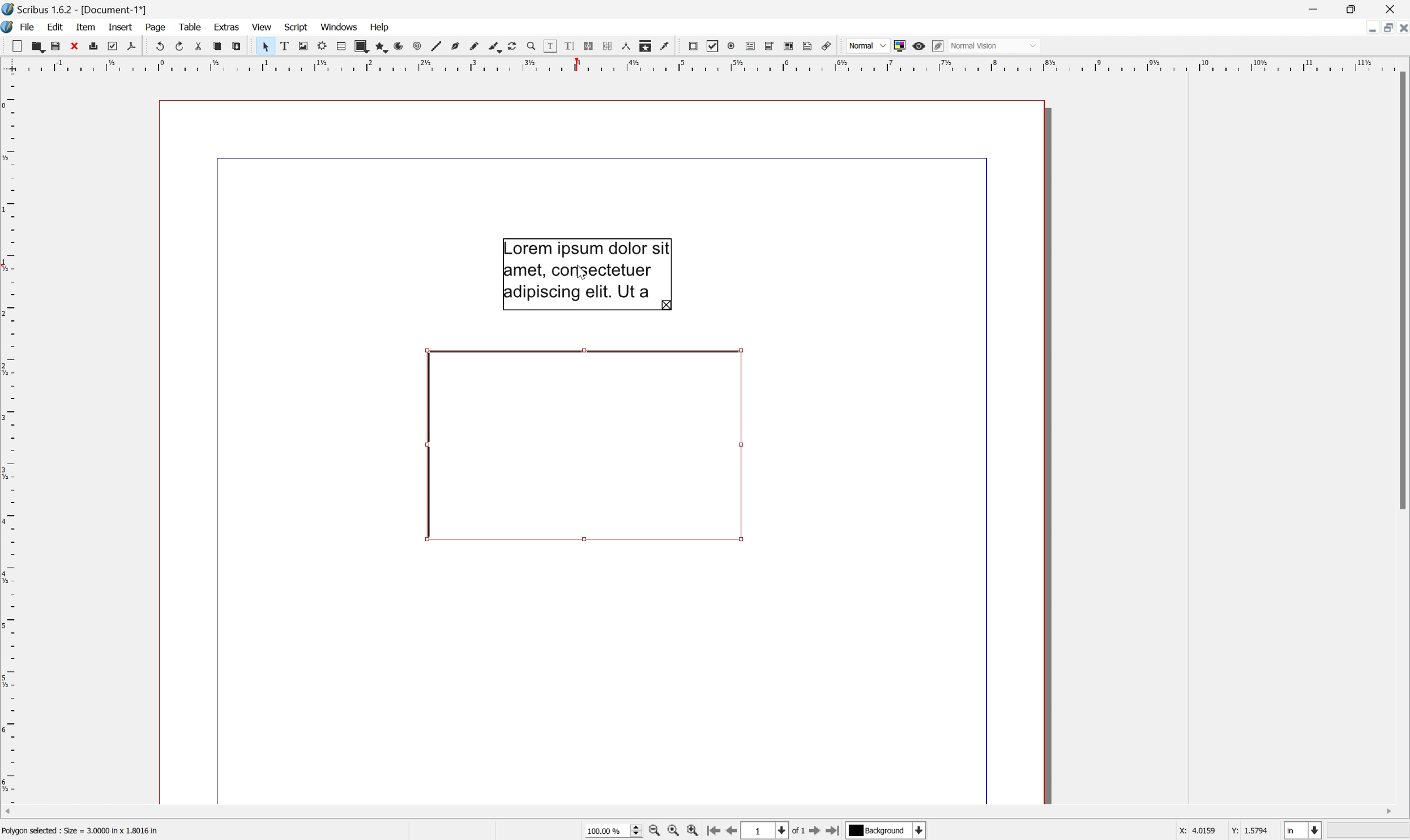 The image size is (1410, 840). What do you see at coordinates (156, 28) in the screenshot?
I see `Page` at bounding box center [156, 28].